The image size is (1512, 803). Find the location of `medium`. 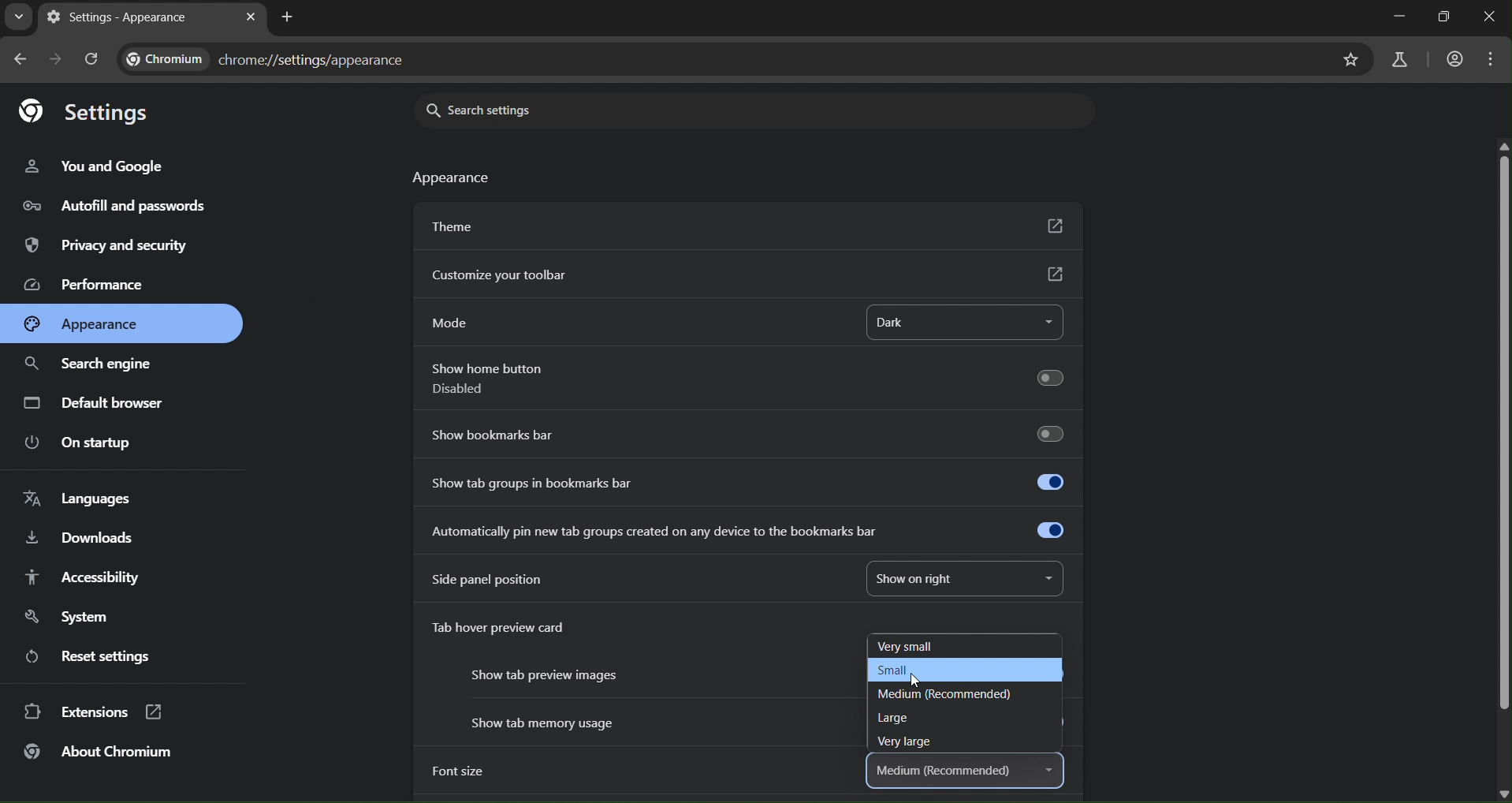

medium is located at coordinates (949, 771).